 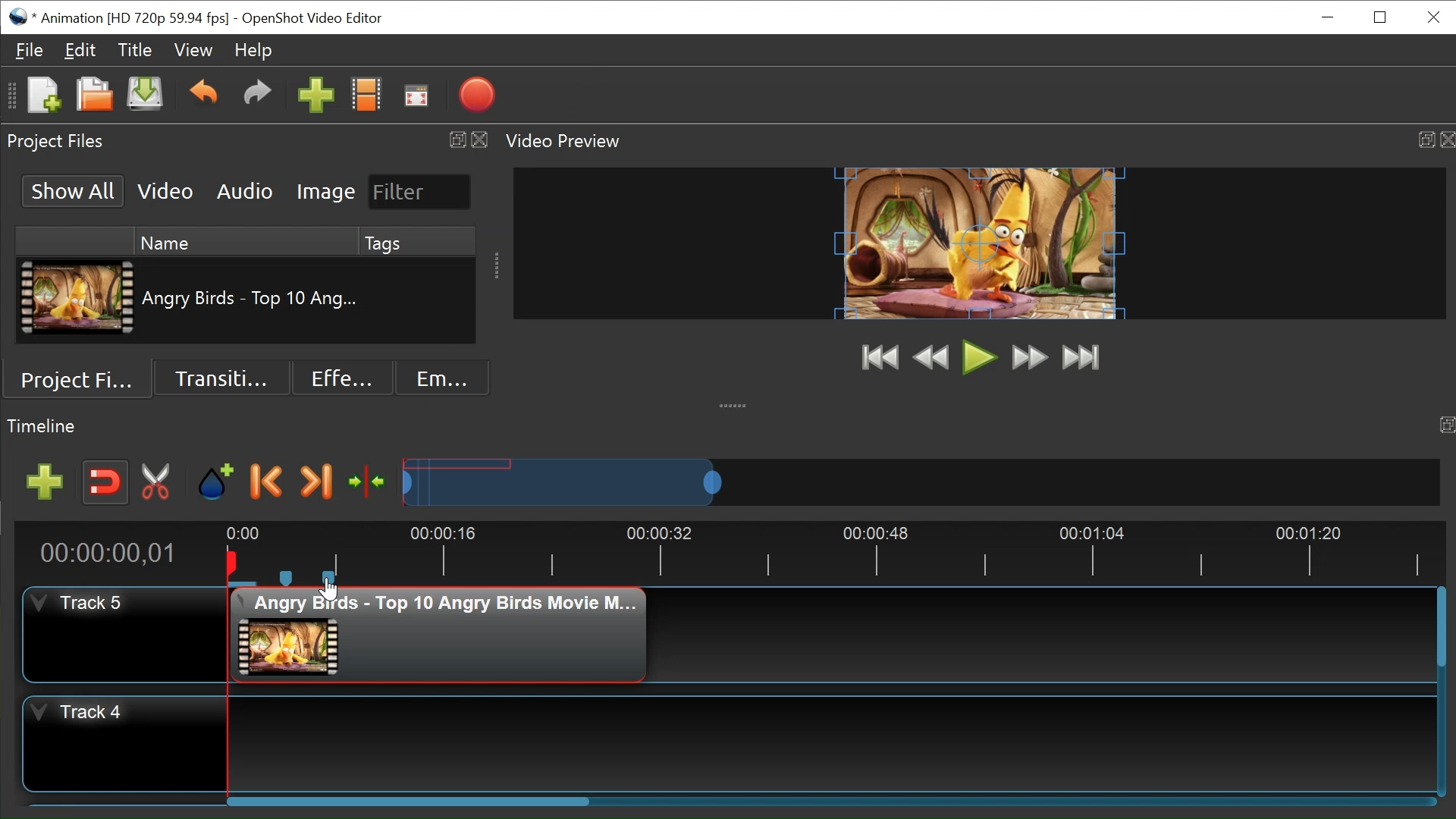 What do you see at coordinates (920, 482) in the screenshot?
I see `Zoom Slider` at bounding box center [920, 482].